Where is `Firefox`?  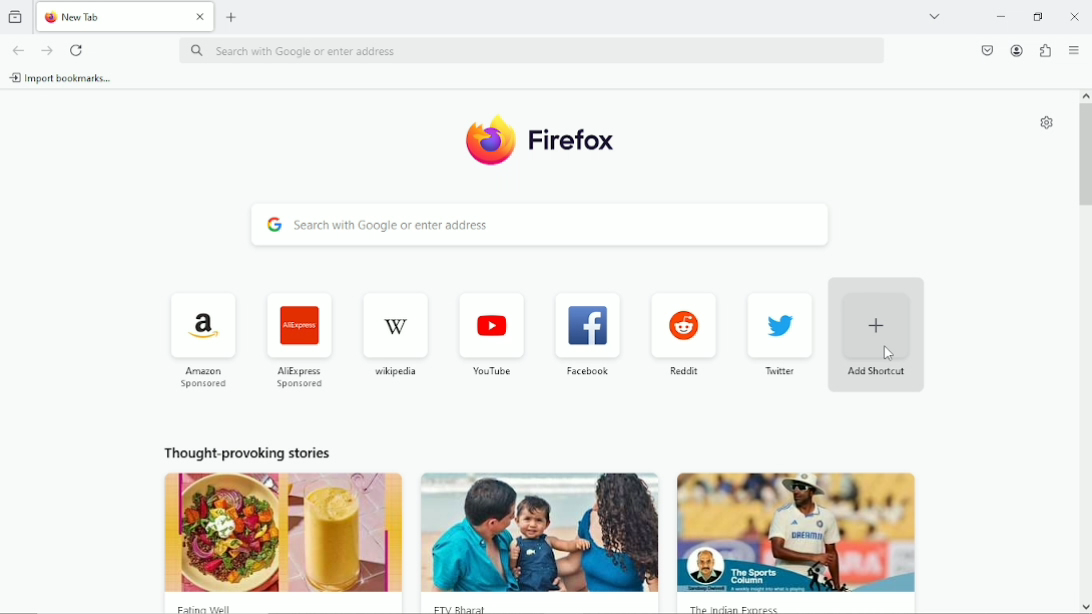 Firefox is located at coordinates (543, 140).